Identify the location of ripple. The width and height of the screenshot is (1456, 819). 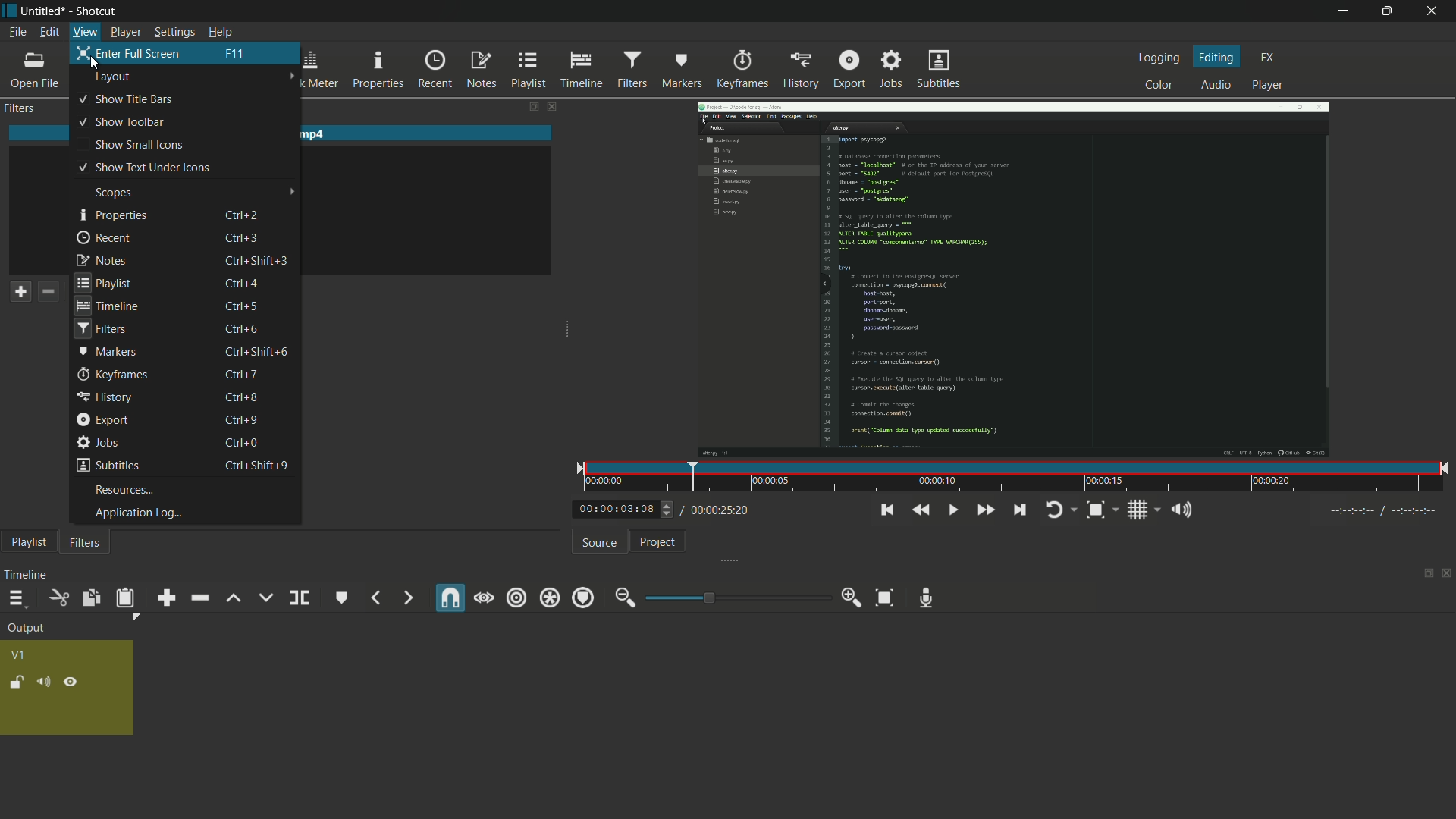
(516, 598).